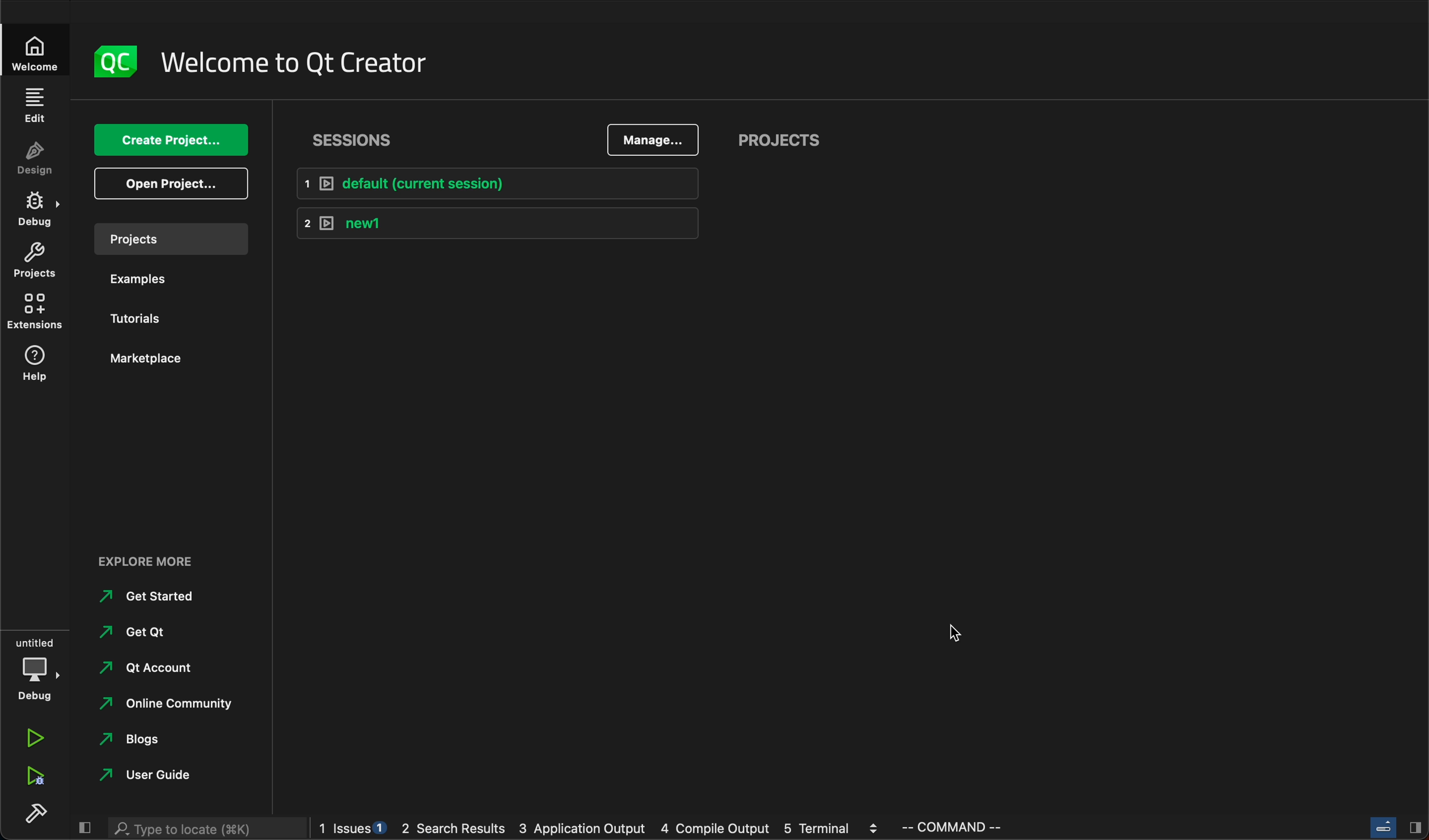 Image resolution: width=1429 pixels, height=840 pixels. Describe the element at coordinates (150, 669) in the screenshot. I see `account` at that location.